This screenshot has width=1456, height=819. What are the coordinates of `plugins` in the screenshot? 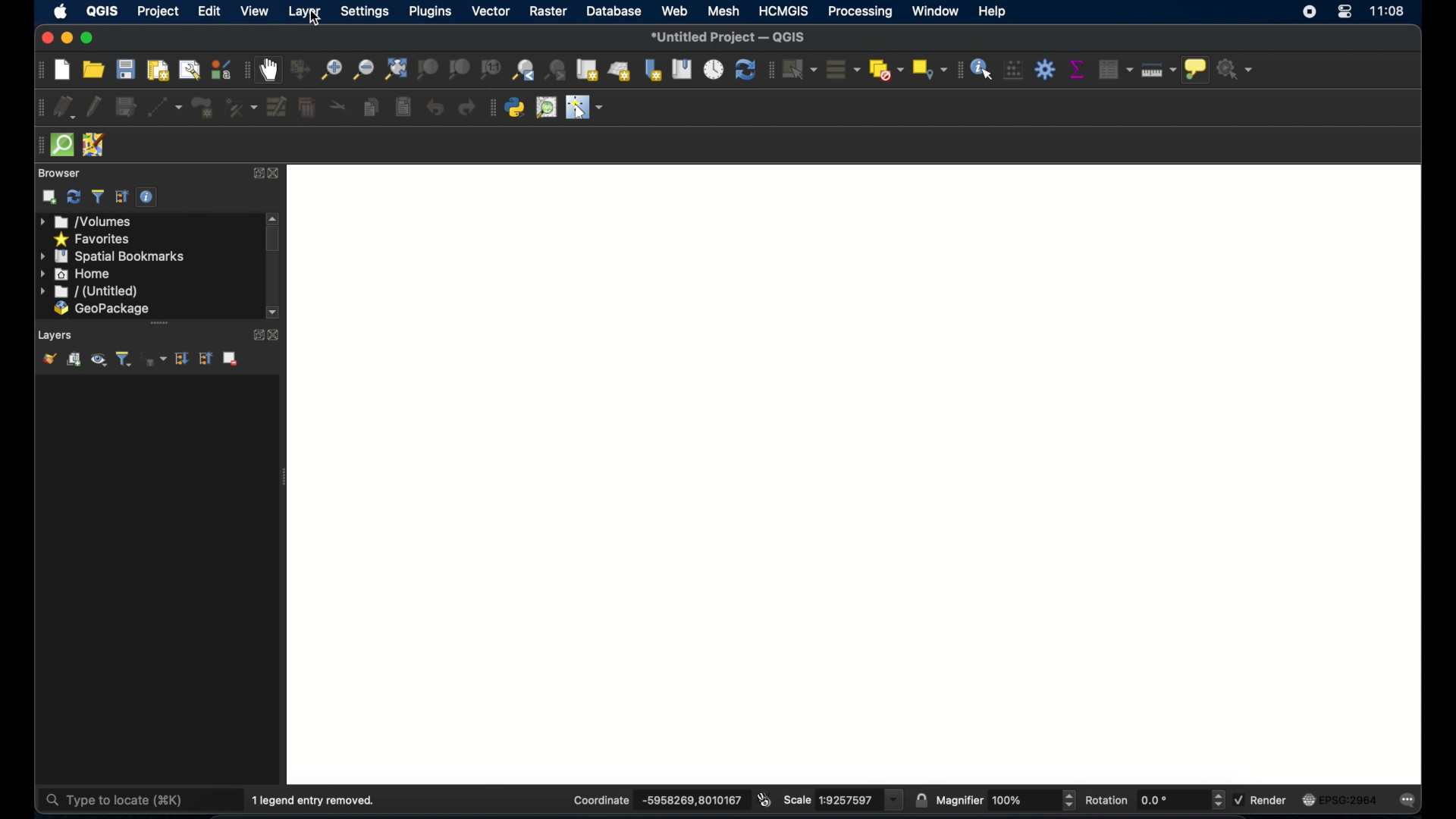 It's located at (429, 12).